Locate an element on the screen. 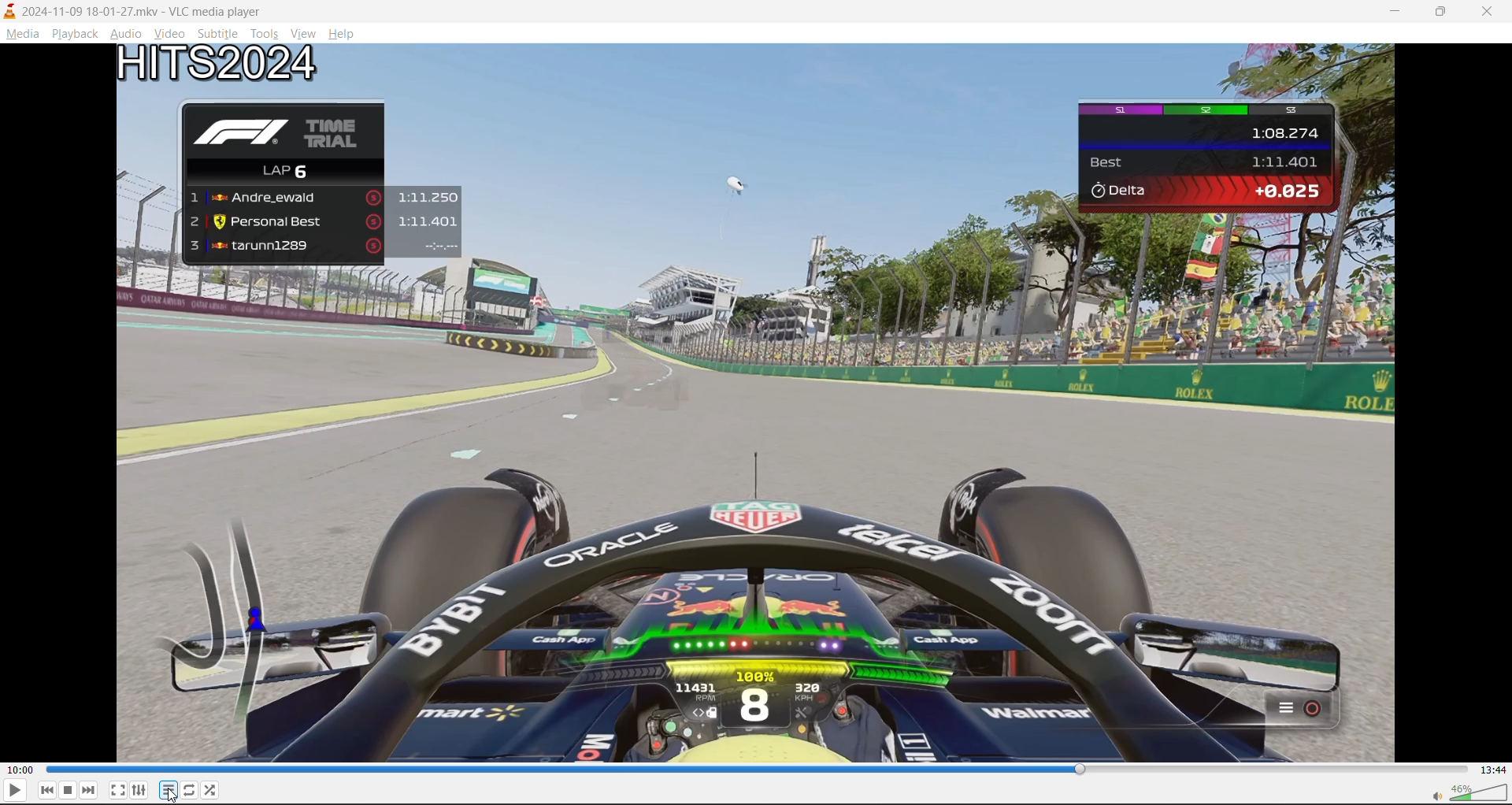 The image size is (1512, 805). random is located at coordinates (213, 788).